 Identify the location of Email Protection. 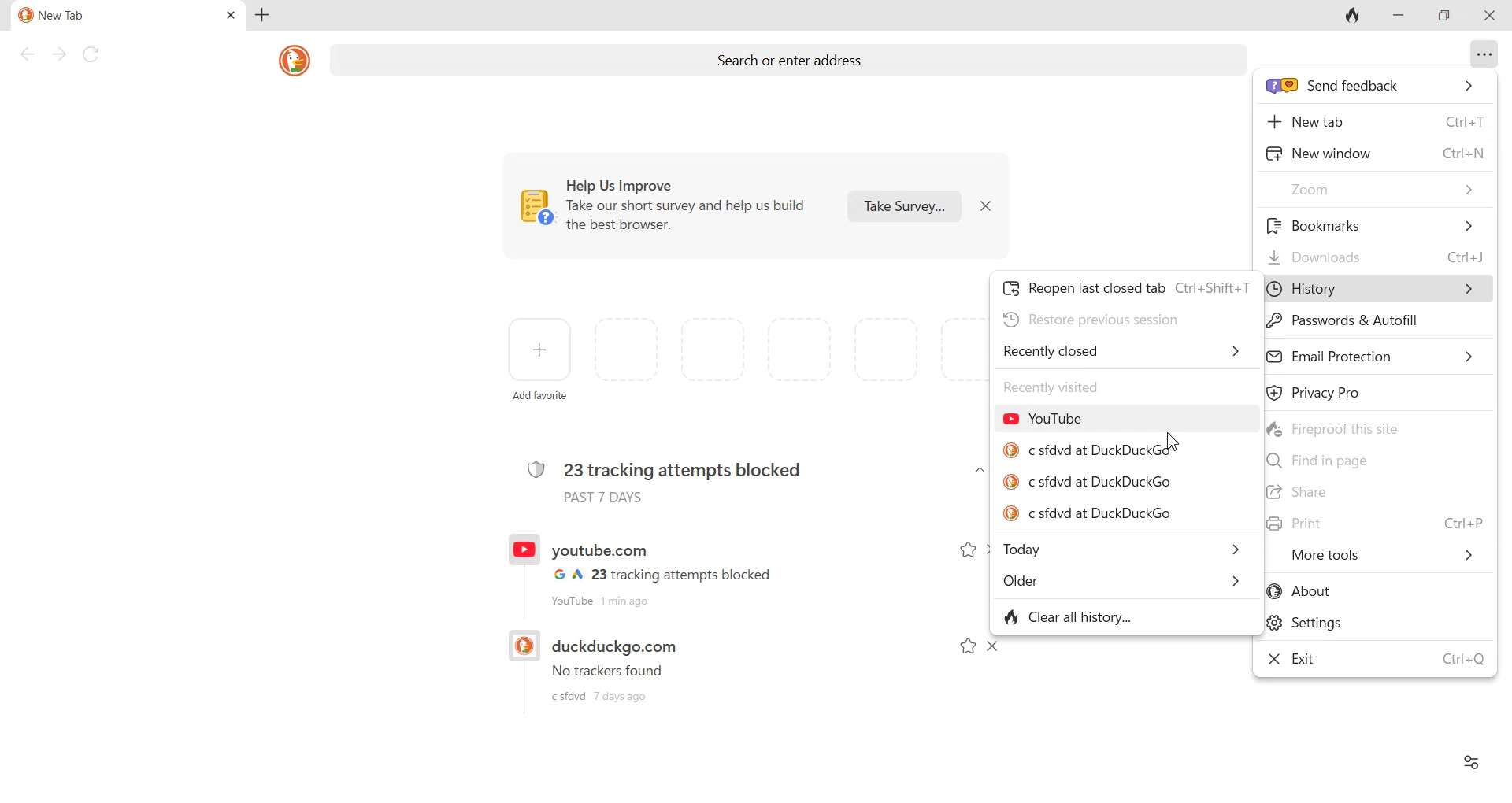
(1374, 355).